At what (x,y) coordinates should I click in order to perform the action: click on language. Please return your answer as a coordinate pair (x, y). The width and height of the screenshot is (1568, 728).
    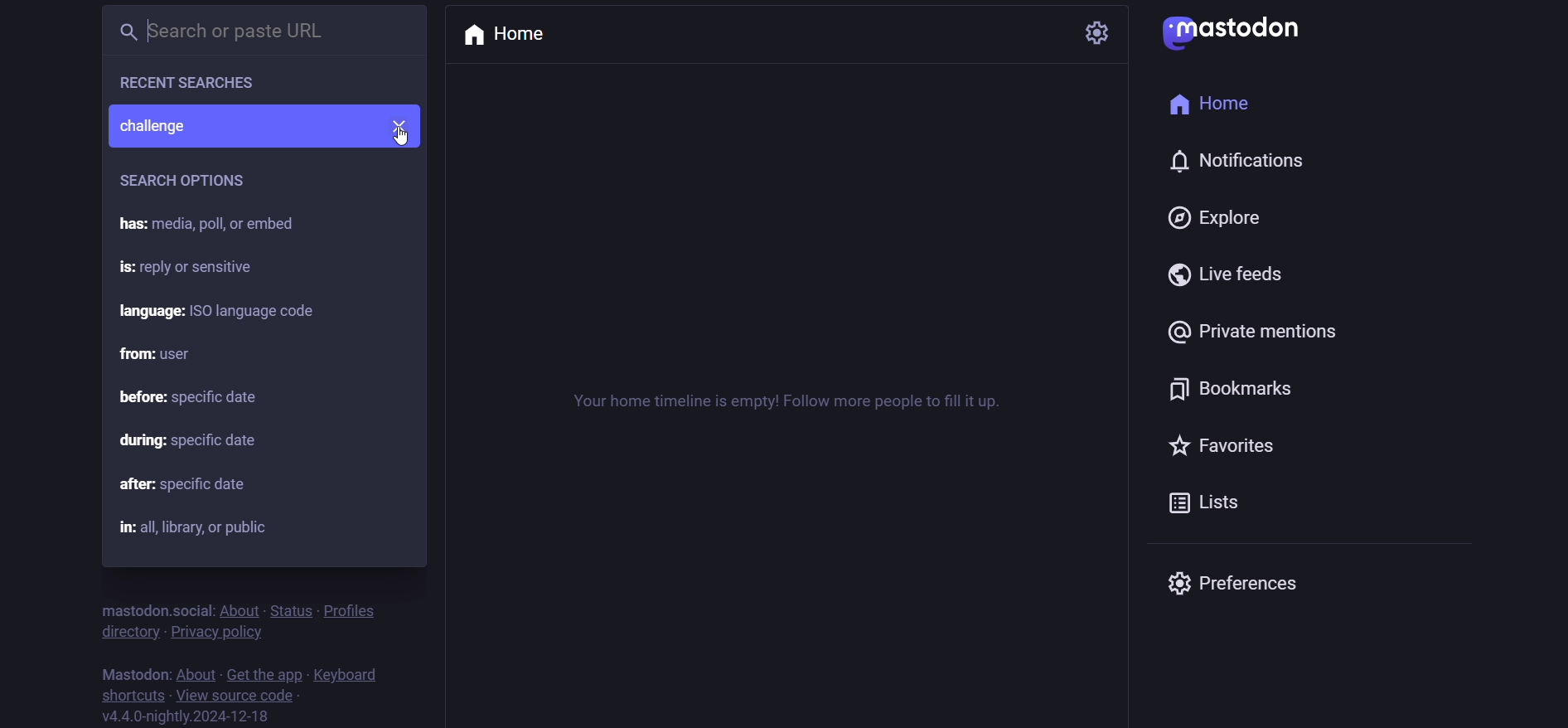
    Looking at the image, I should click on (240, 309).